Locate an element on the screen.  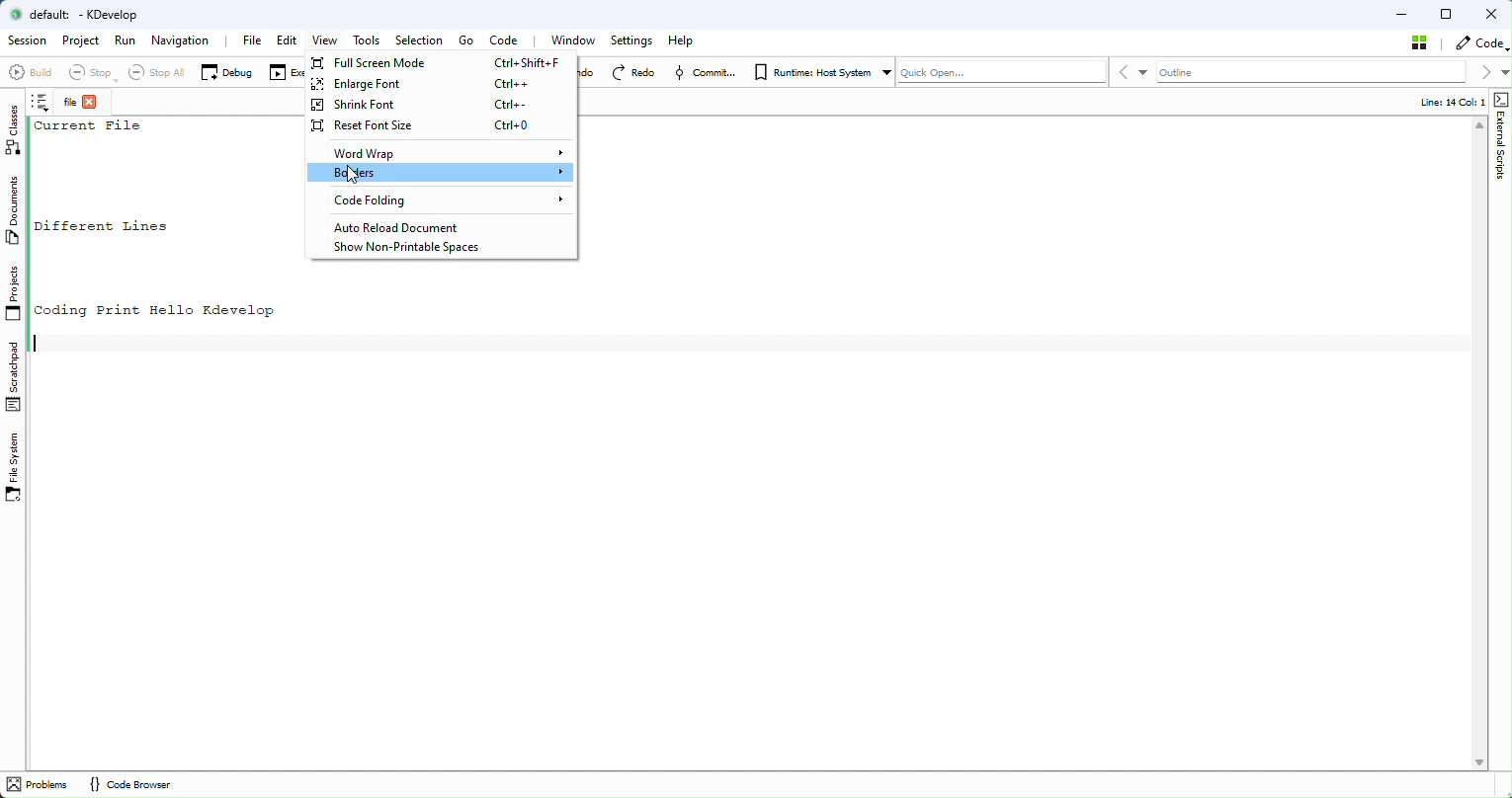
Enlarge Font Ctrl++ is located at coordinates (442, 84).